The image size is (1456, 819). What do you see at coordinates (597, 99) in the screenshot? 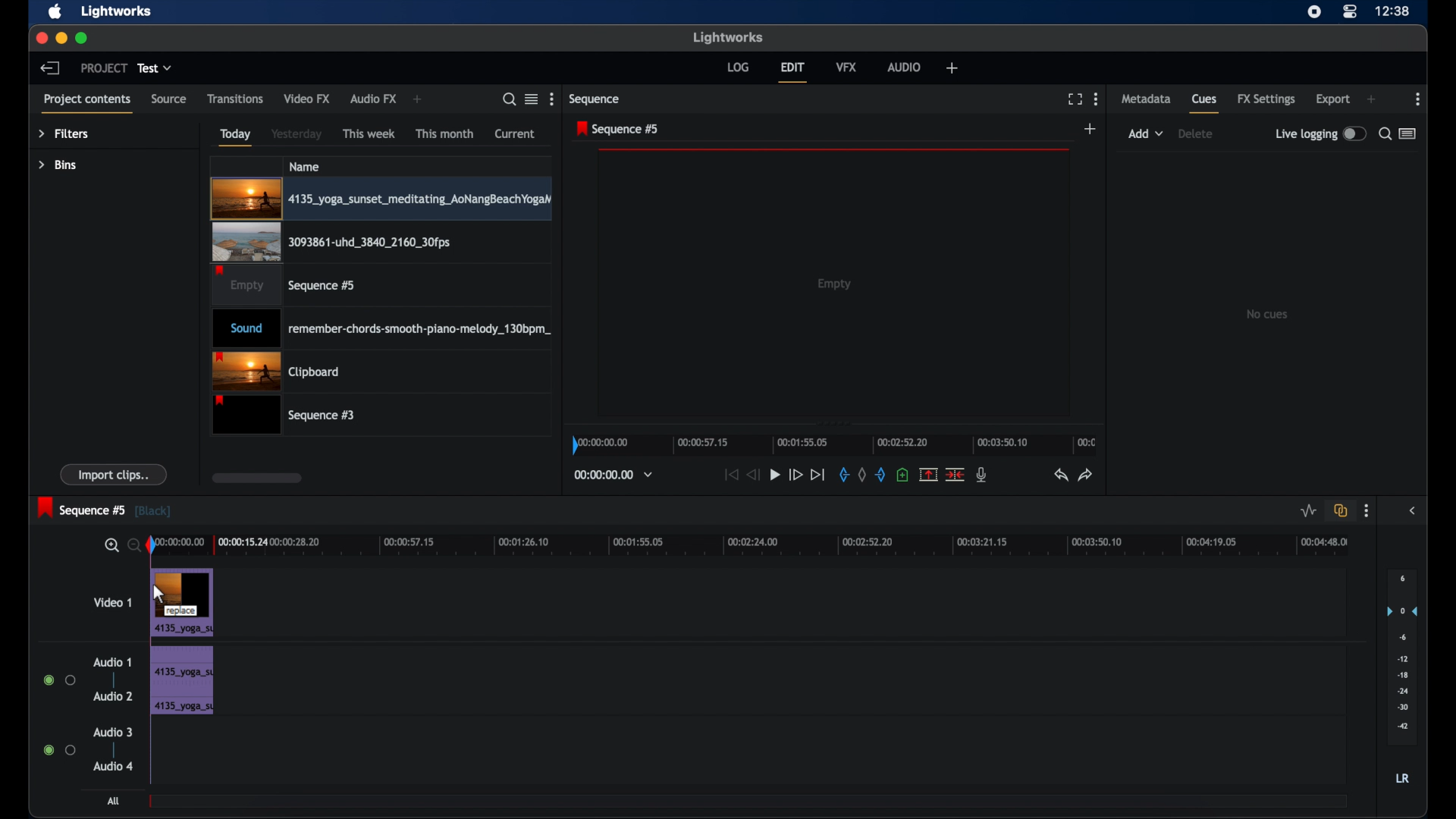
I see `sequence` at bounding box center [597, 99].